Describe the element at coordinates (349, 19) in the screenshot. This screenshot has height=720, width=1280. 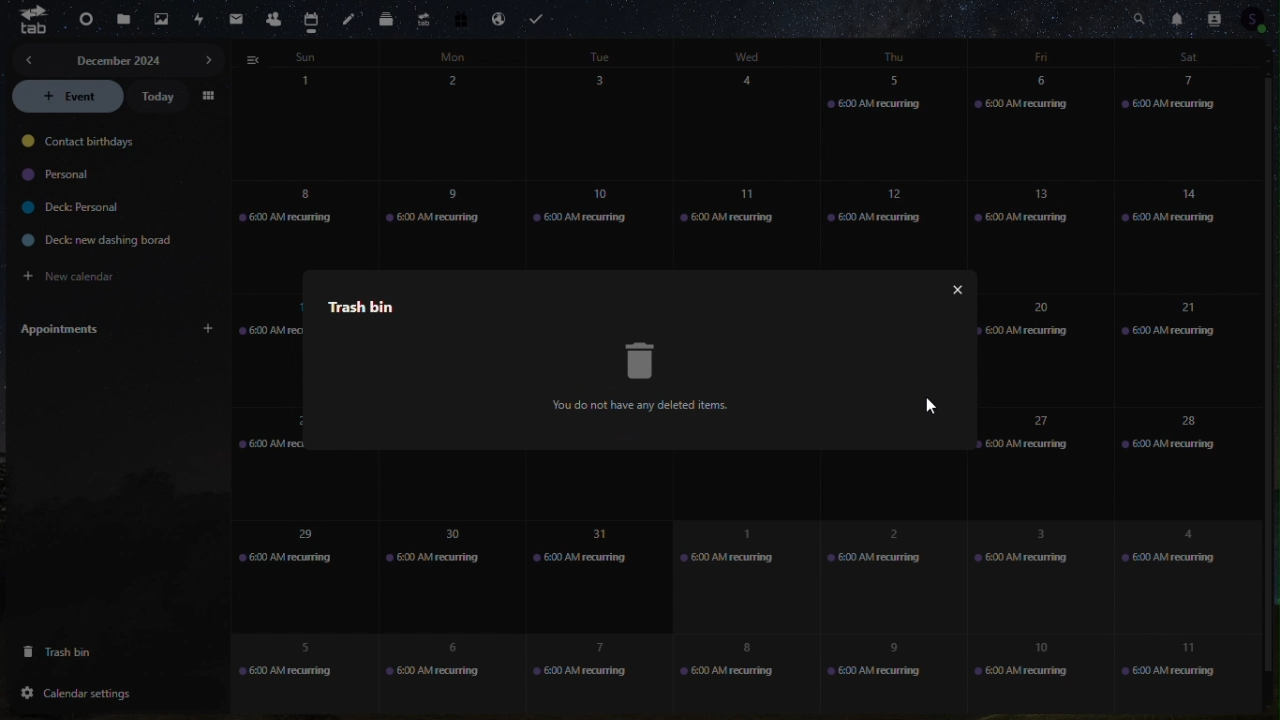
I see `notes` at that location.